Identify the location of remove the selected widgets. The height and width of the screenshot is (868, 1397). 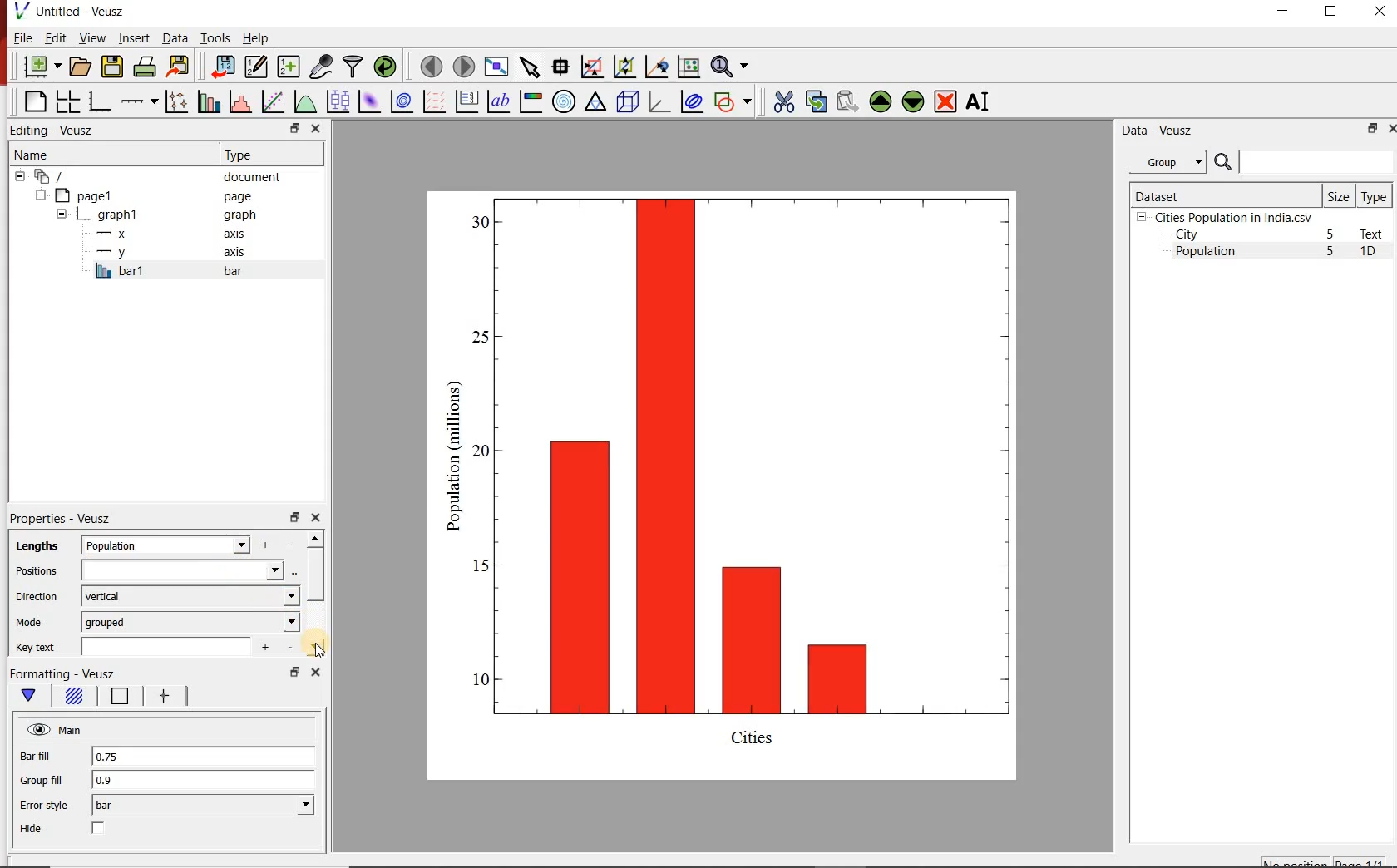
(947, 101).